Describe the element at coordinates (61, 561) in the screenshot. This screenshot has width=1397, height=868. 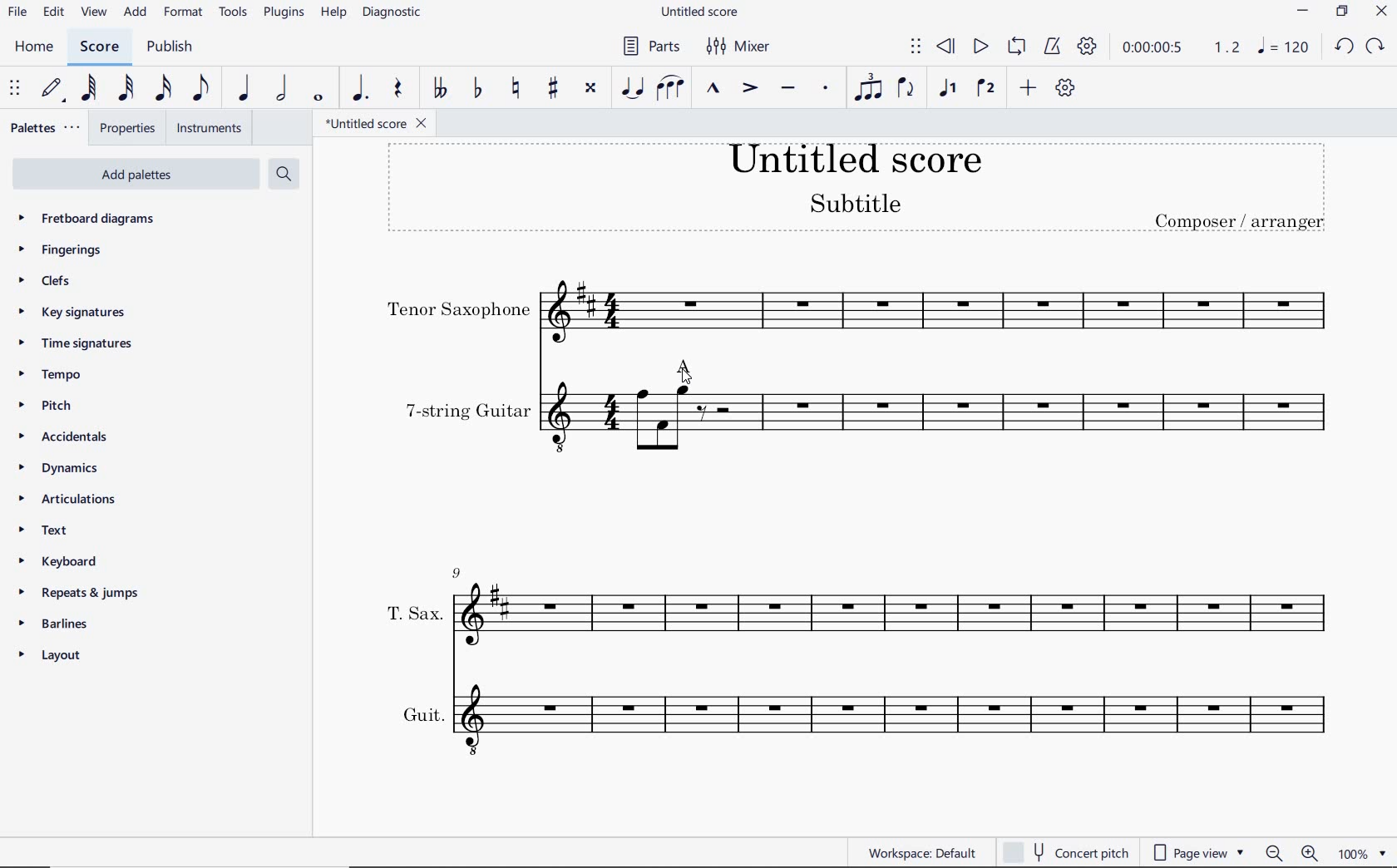
I see `KEYBOARD` at that location.